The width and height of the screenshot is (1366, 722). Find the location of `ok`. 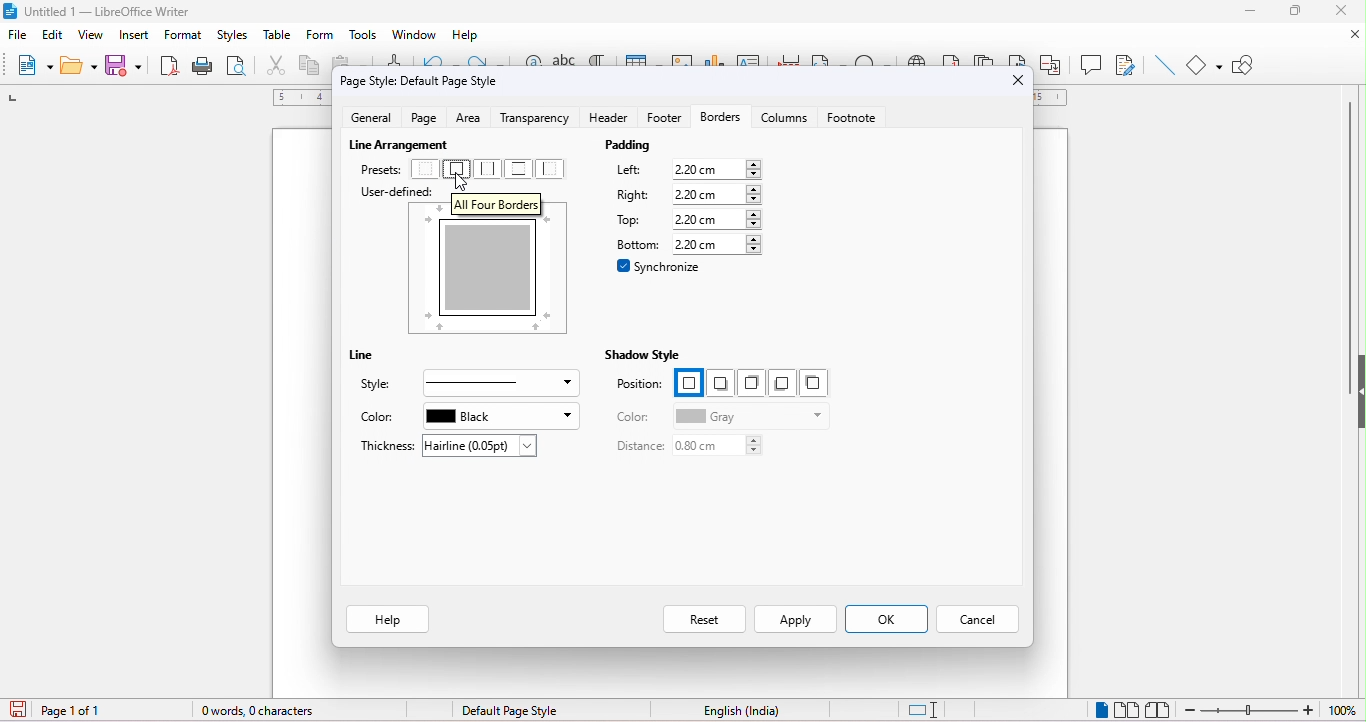

ok is located at coordinates (889, 620).